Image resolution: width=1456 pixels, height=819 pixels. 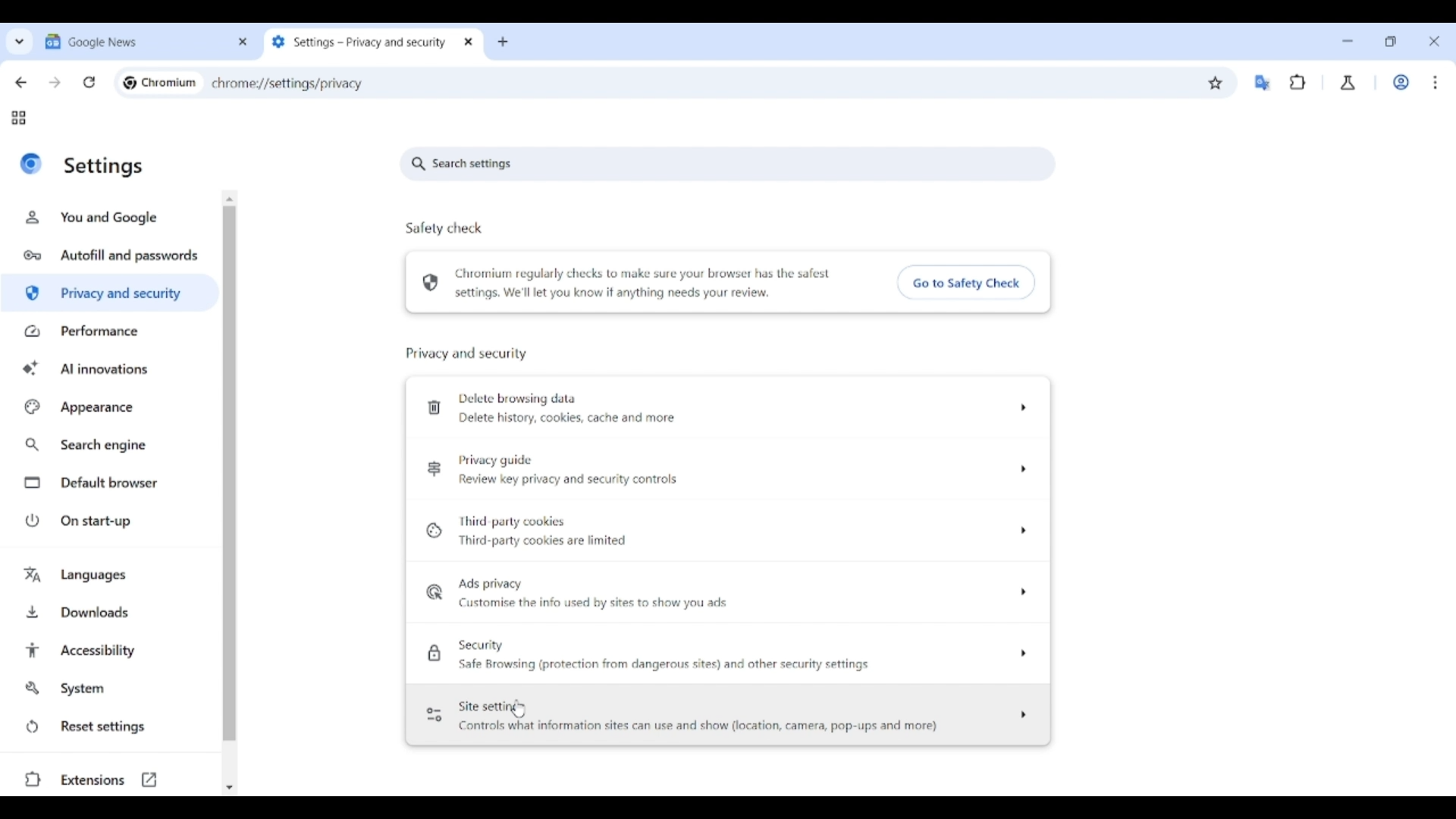 What do you see at coordinates (361, 42) in the screenshot?
I see `Tab 2 changed` at bounding box center [361, 42].